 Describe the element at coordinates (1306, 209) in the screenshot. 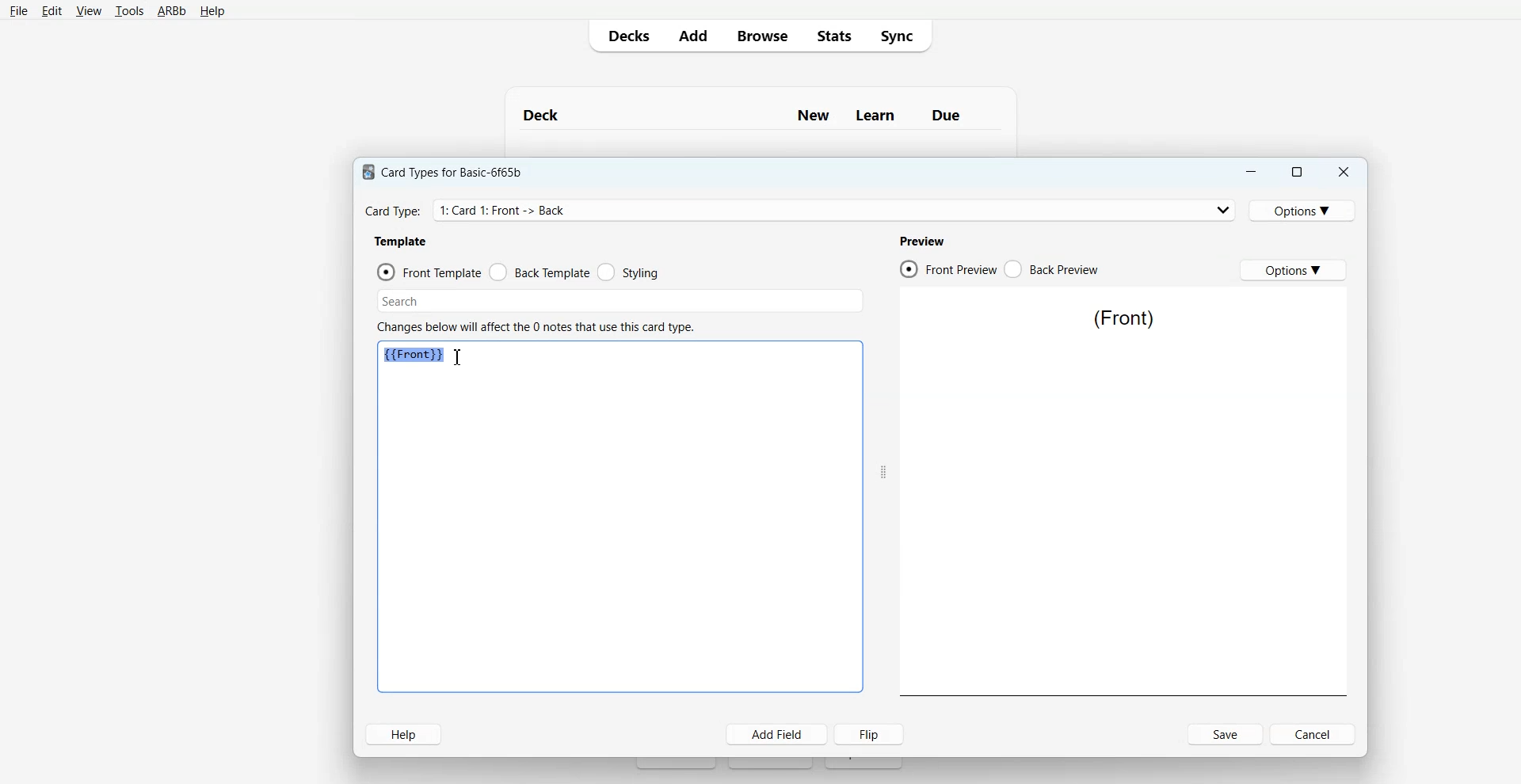

I see `Options` at that location.